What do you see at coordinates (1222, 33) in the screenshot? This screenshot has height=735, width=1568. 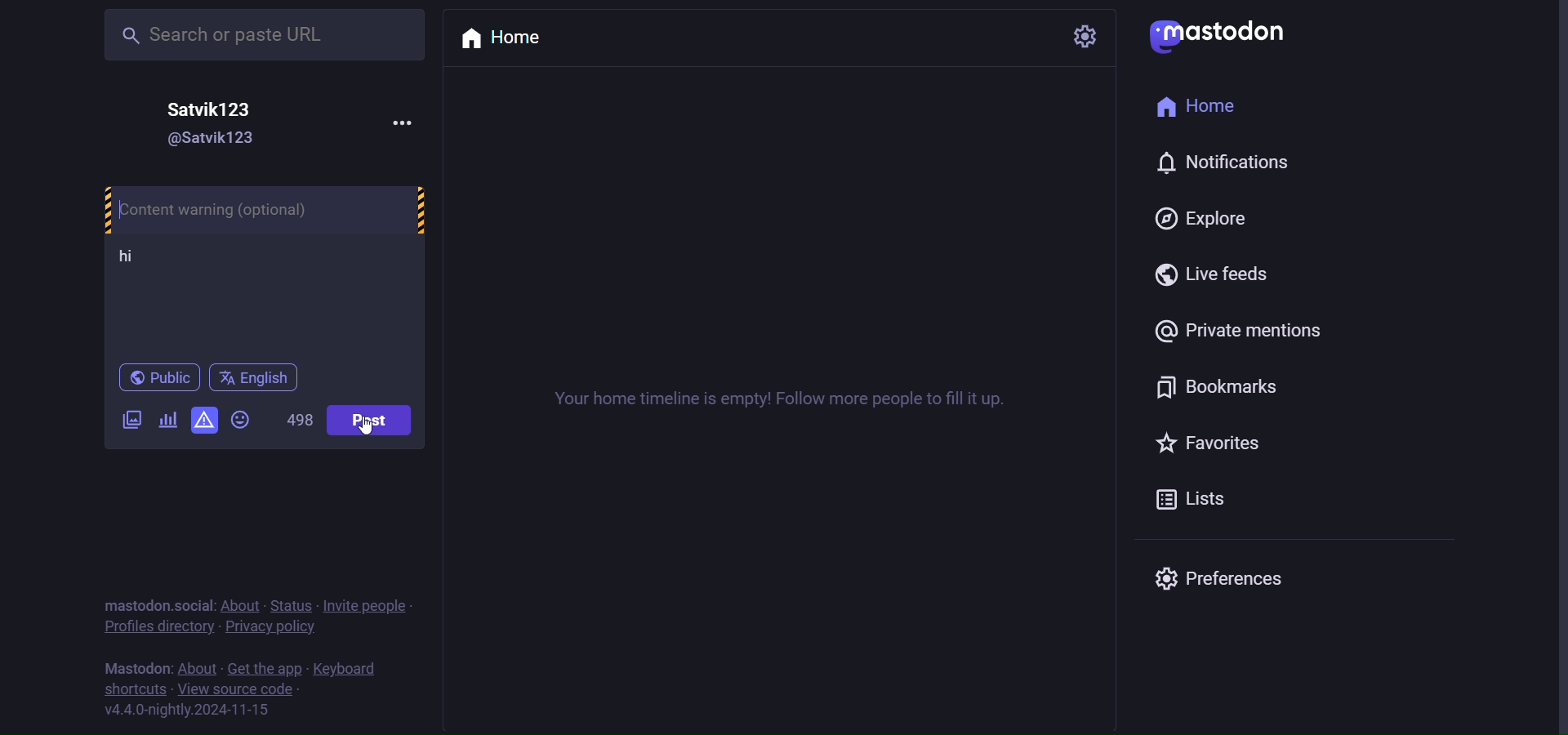 I see `mastodon` at bounding box center [1222, 33].